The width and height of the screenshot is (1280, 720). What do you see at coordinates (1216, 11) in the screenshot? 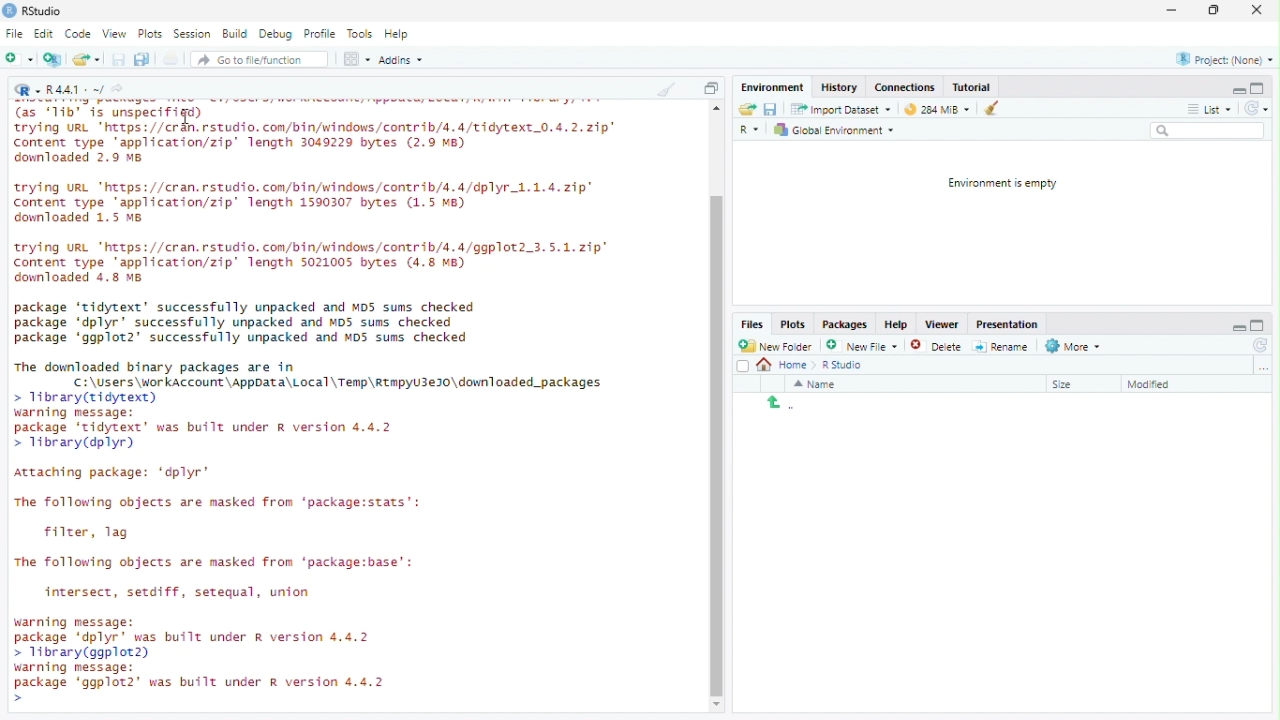
I see `Restore Down` at bounding box center [1216, 11].